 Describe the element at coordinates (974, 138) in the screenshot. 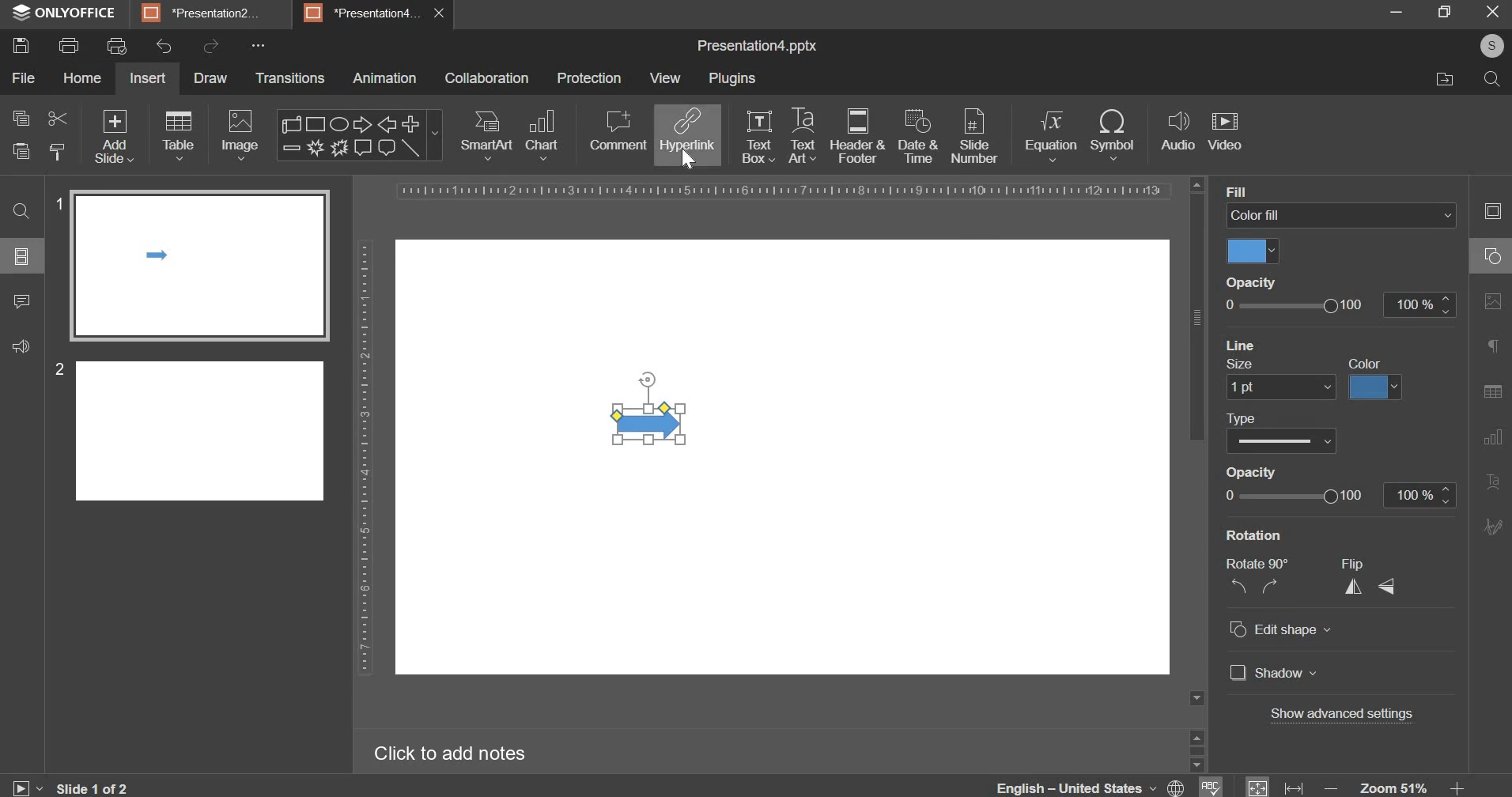

I see `slide number` at that location.